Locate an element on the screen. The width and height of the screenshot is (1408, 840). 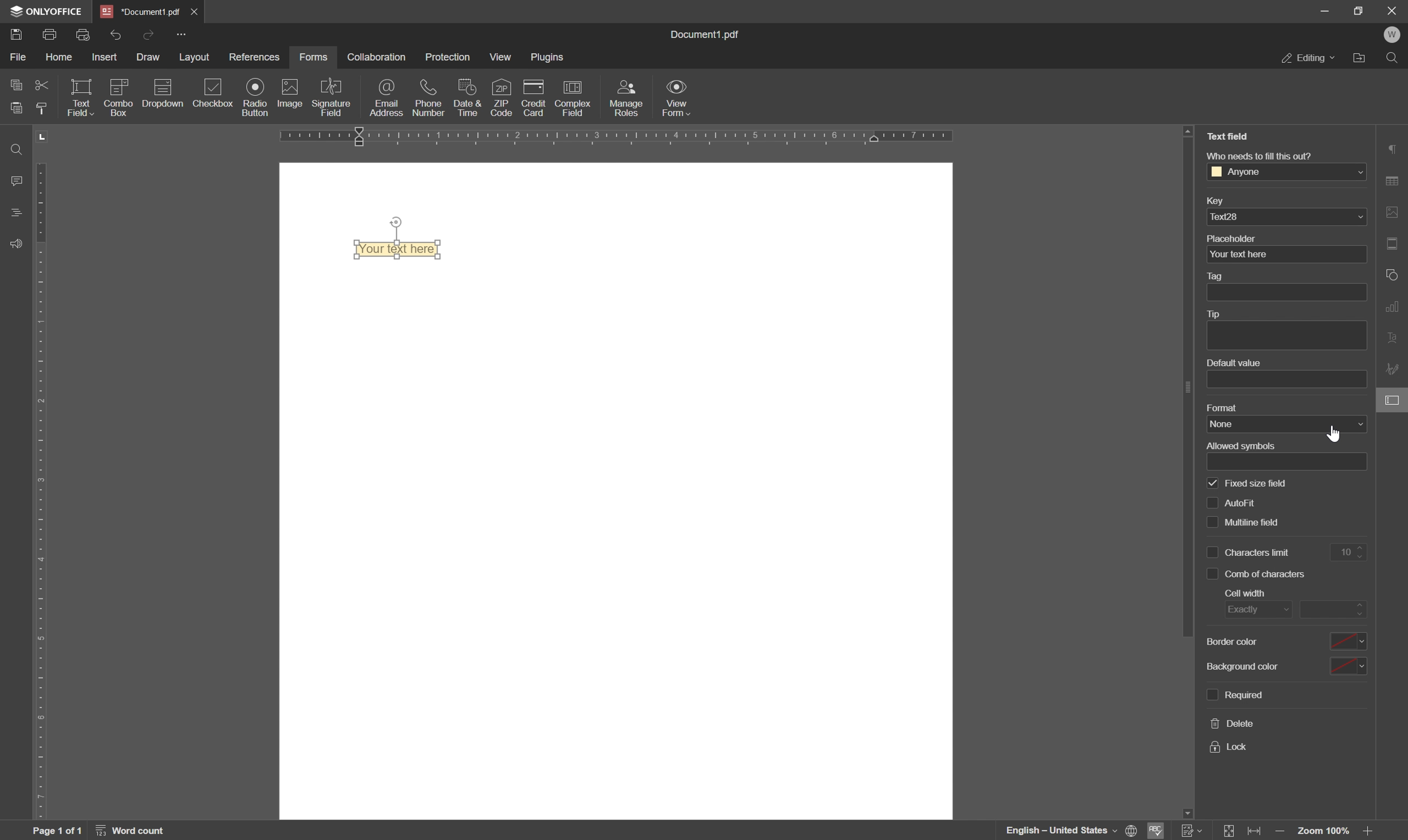
fit to page is located at coordinates (1230, 832).